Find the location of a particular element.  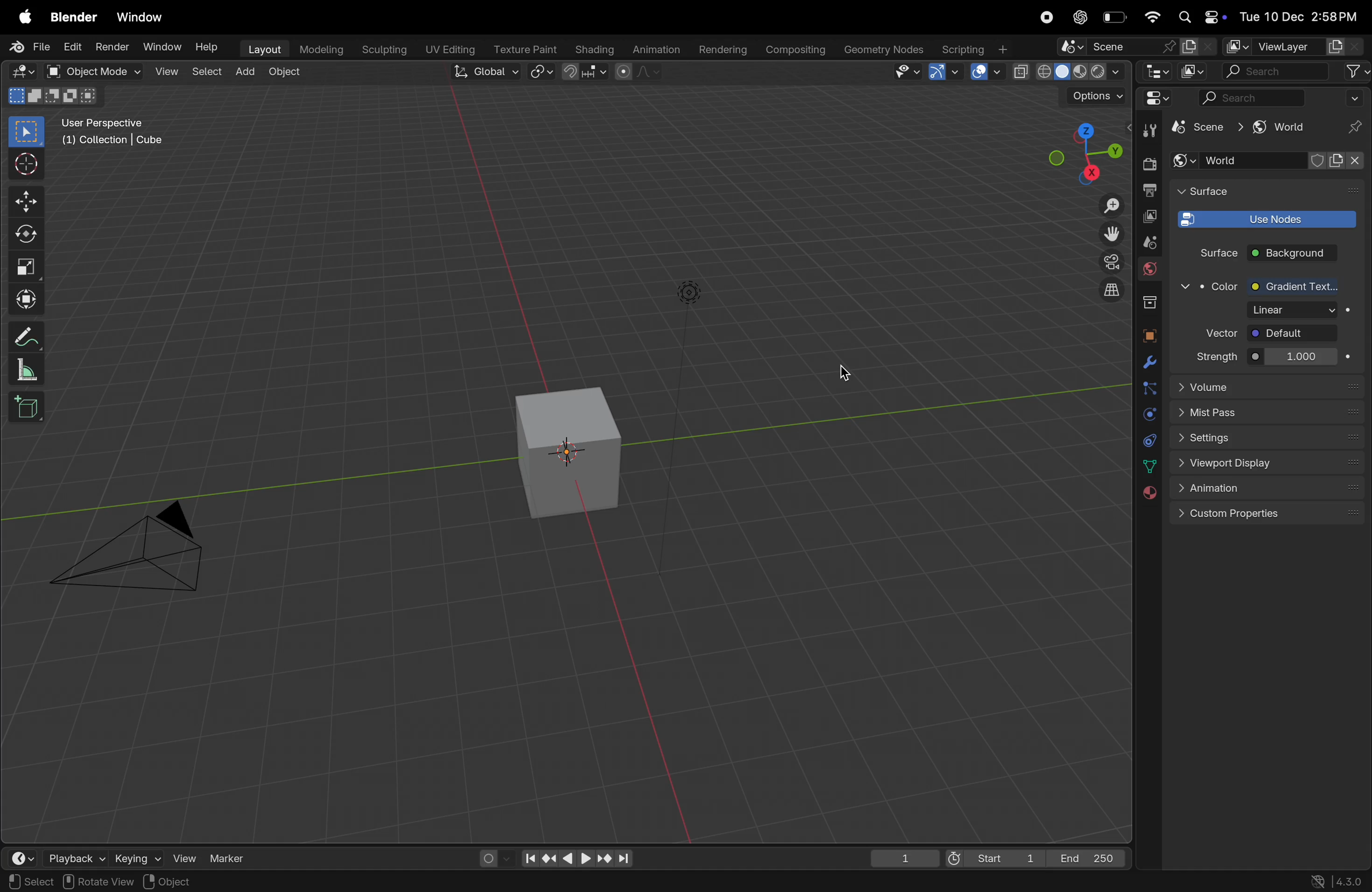

physics constraints is located at coordinates (1148, 415).